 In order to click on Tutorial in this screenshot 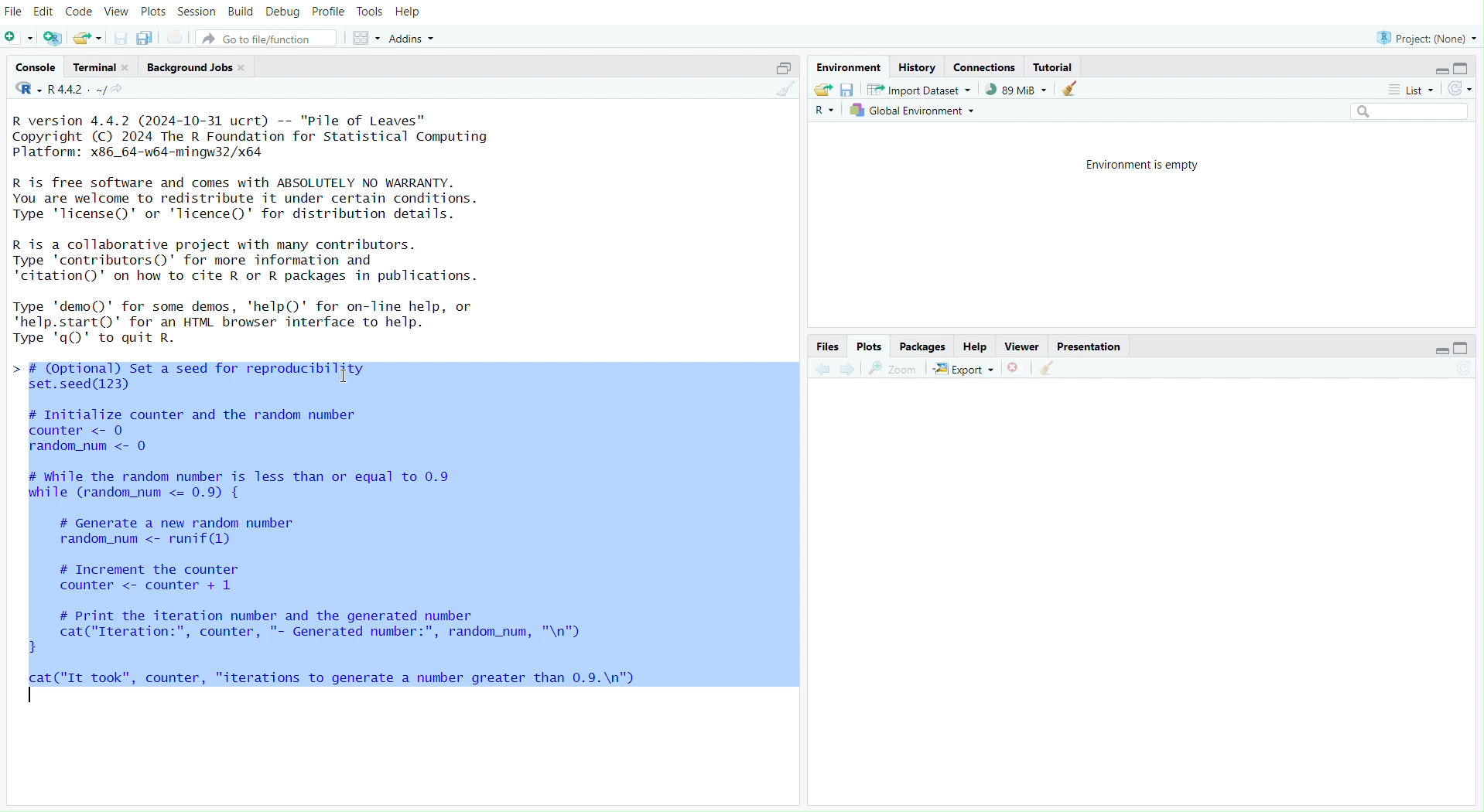, I will do `click(1055, 67)`.